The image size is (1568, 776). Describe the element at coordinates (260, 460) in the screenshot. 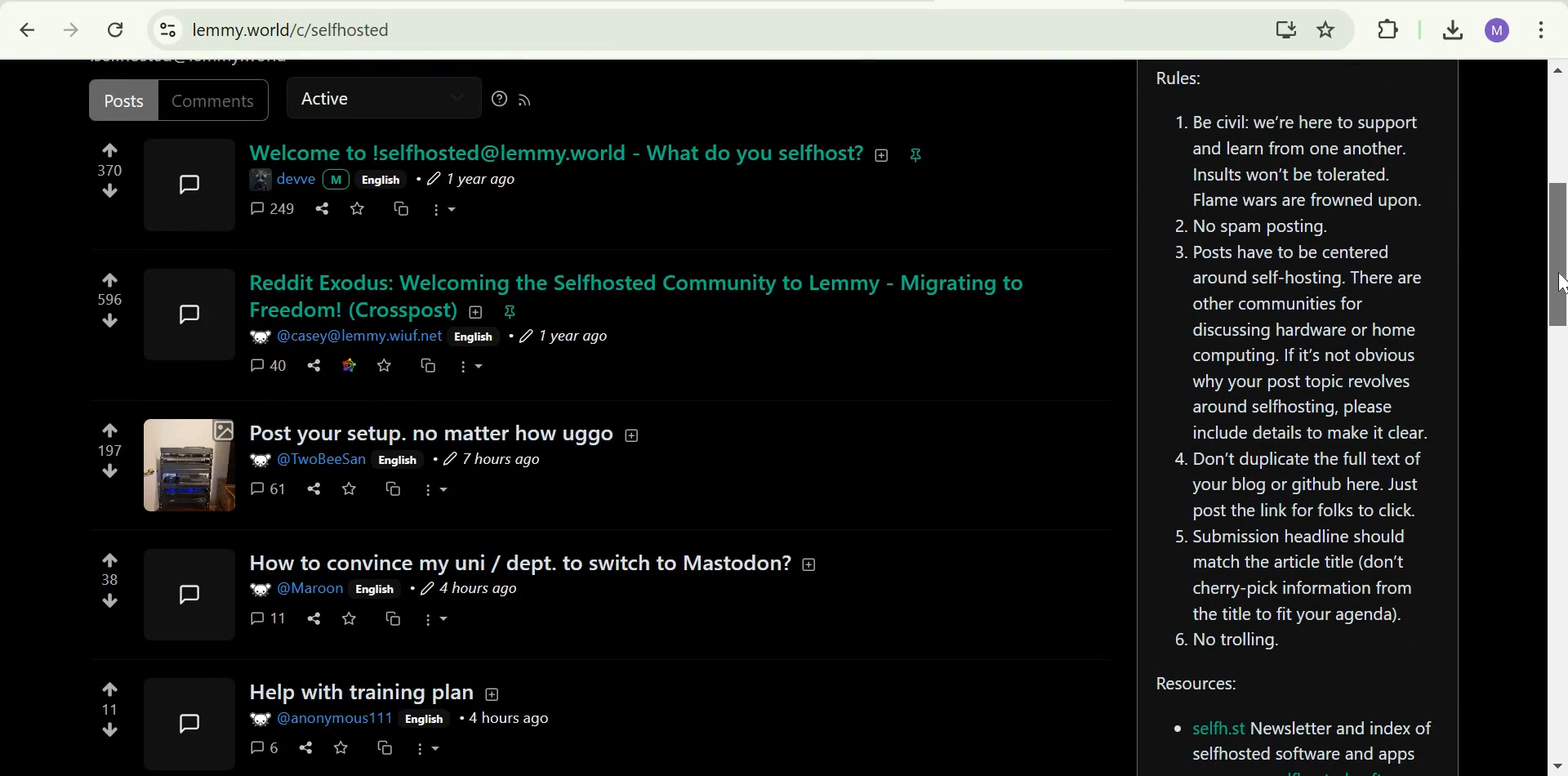

I see `picture` at that location.